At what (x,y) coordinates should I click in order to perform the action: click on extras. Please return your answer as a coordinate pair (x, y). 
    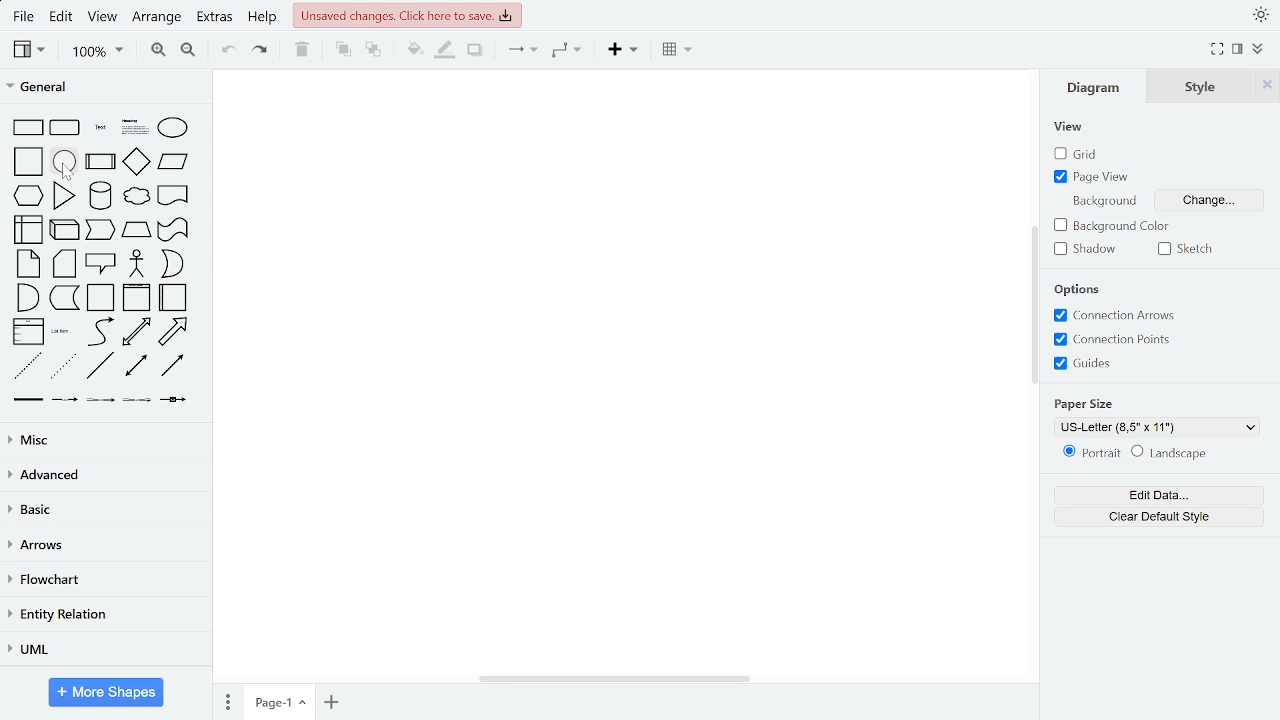
    Looking at the image, I should click on (215, 19).